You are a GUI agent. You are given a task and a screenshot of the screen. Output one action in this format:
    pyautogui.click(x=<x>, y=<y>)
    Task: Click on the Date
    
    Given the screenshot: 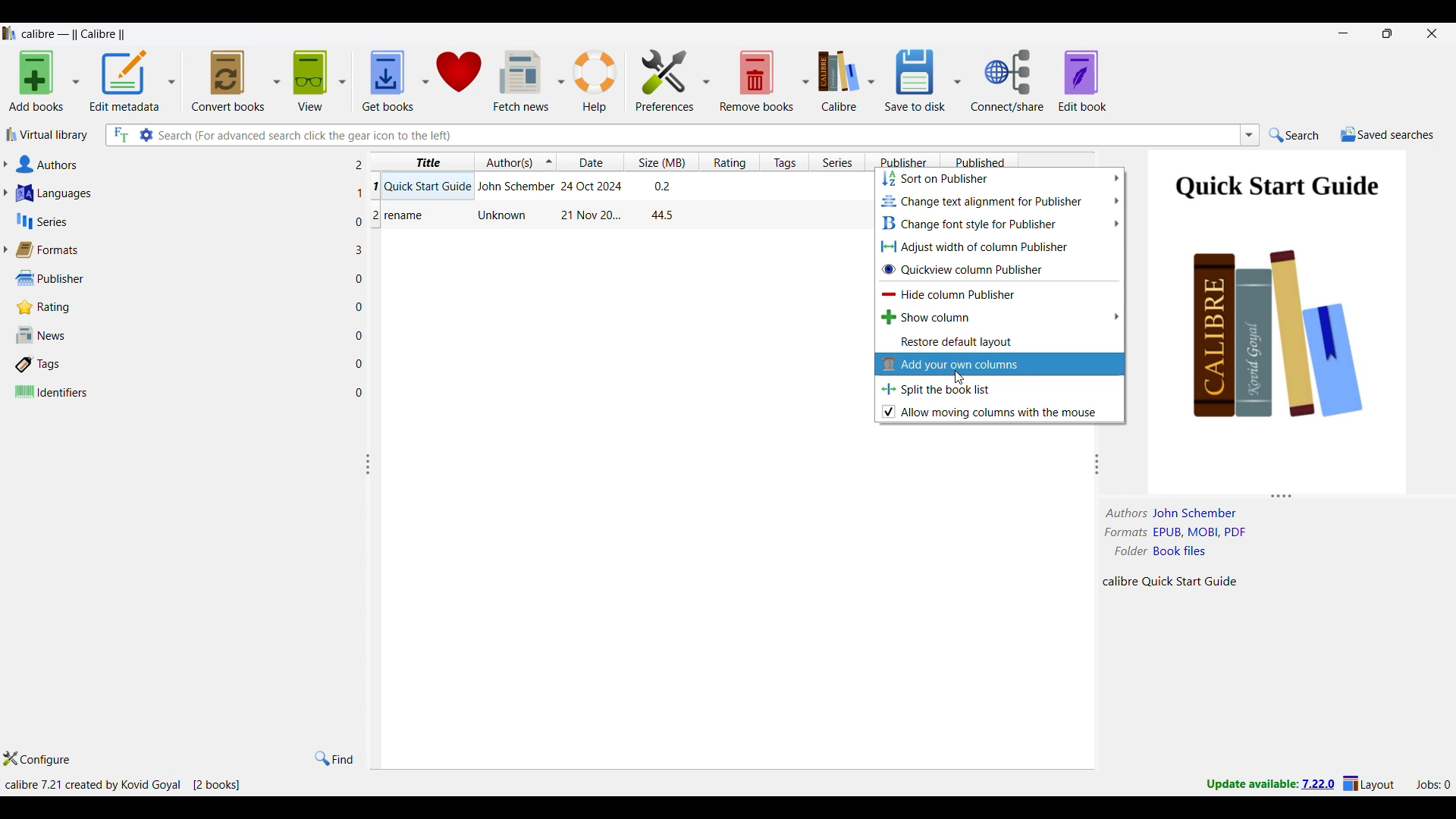 What is the action you would take?
    pyautogui.click(x=593, y=185)
    